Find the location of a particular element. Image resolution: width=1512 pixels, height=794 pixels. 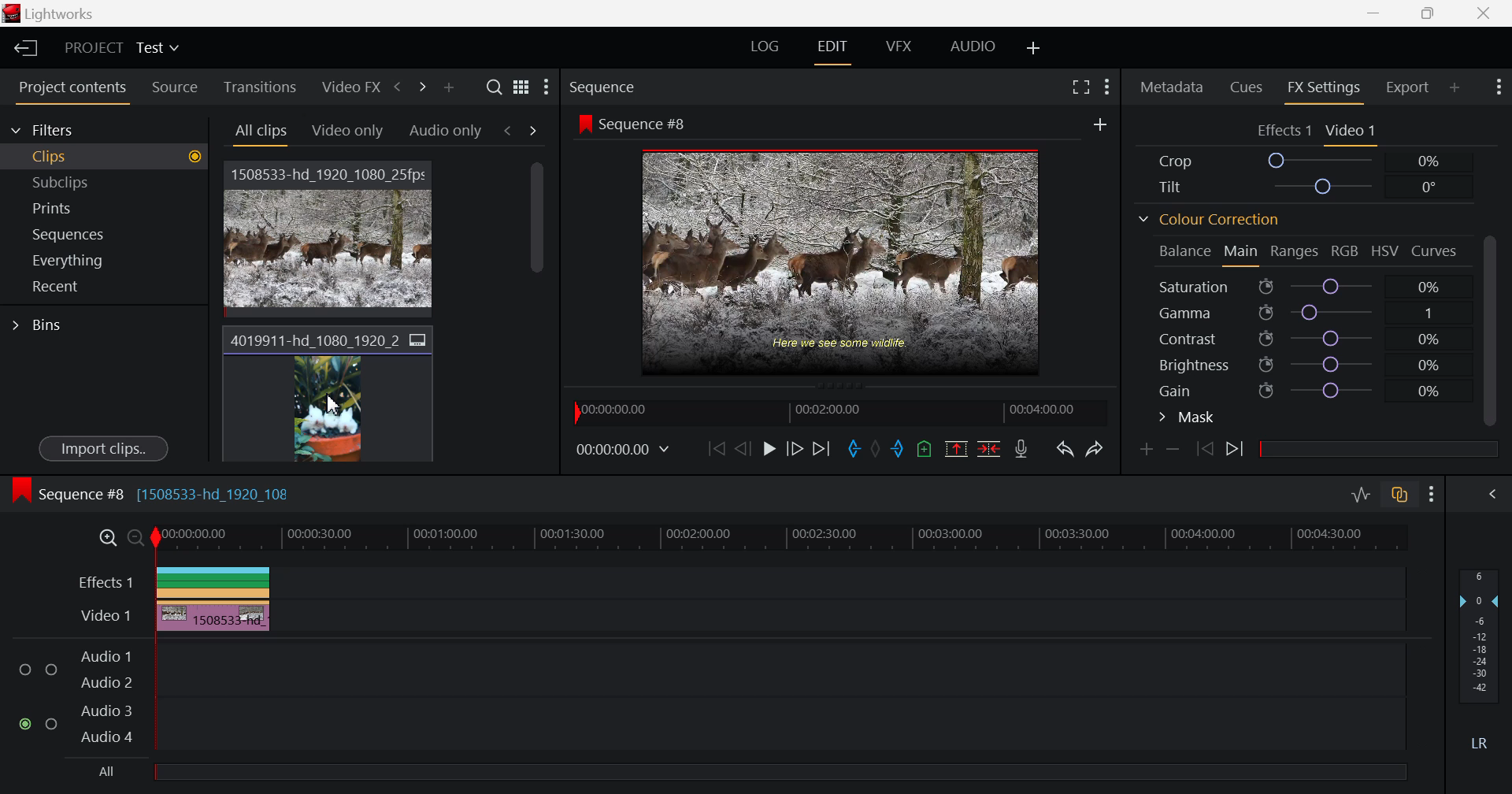

Add keyframe is located at coordinates (1147, 451).